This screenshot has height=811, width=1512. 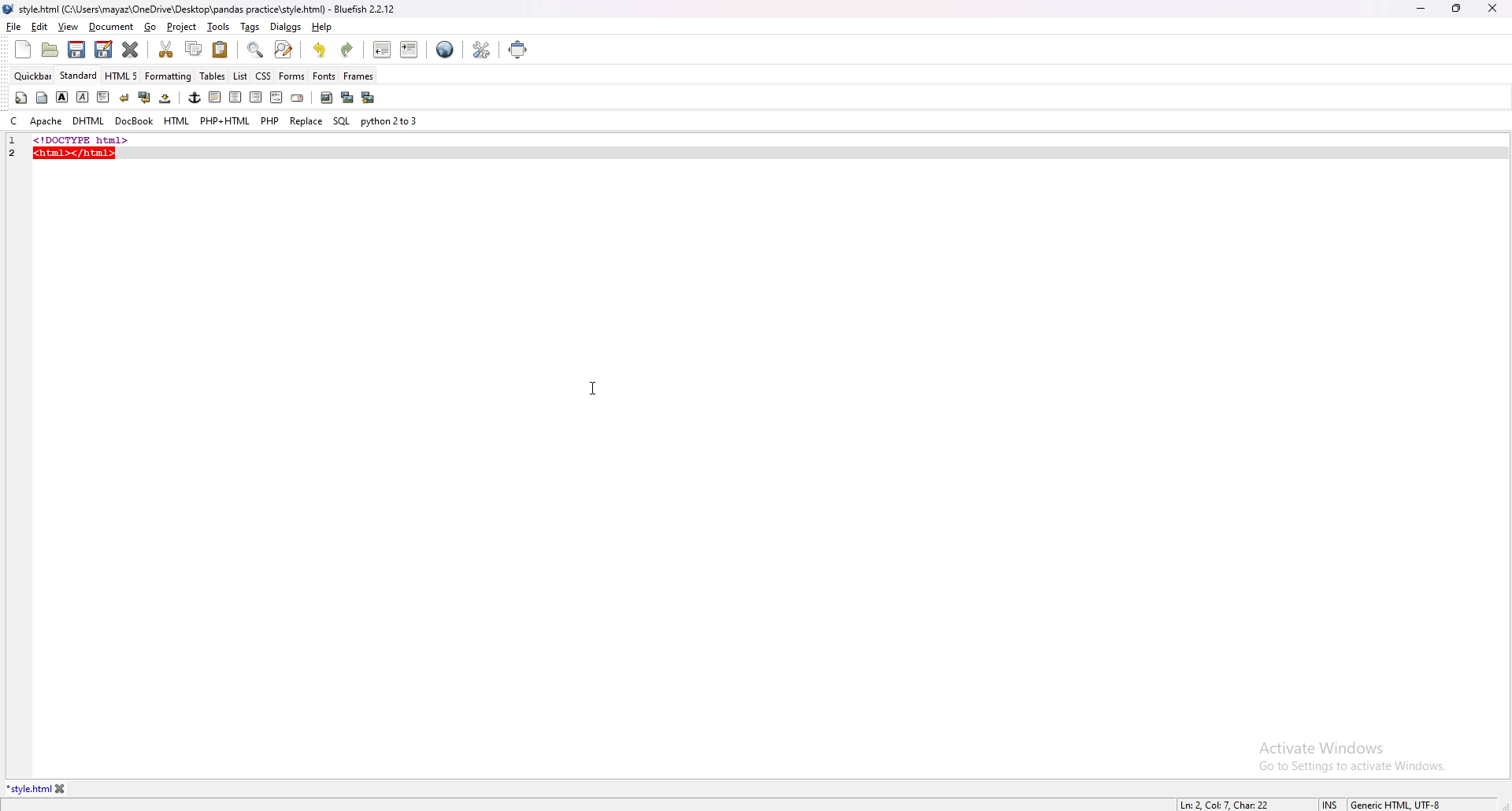 I want to click on formatting, so click(x=169, y=76).